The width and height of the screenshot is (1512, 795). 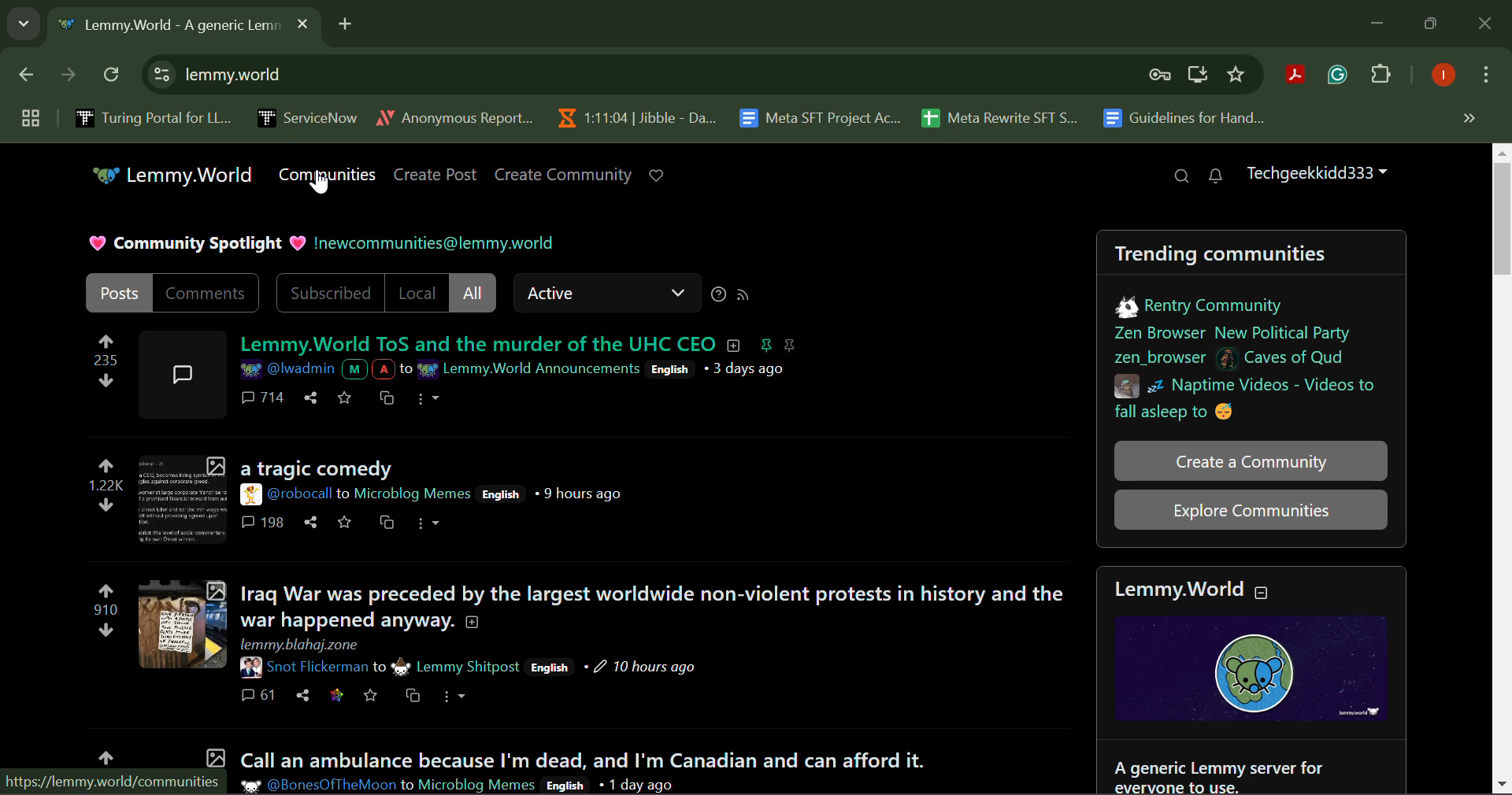 What do you see at coordinates (345, 21) in the screenshot?
I see `Add Tab` at bounding box center [345, 21].